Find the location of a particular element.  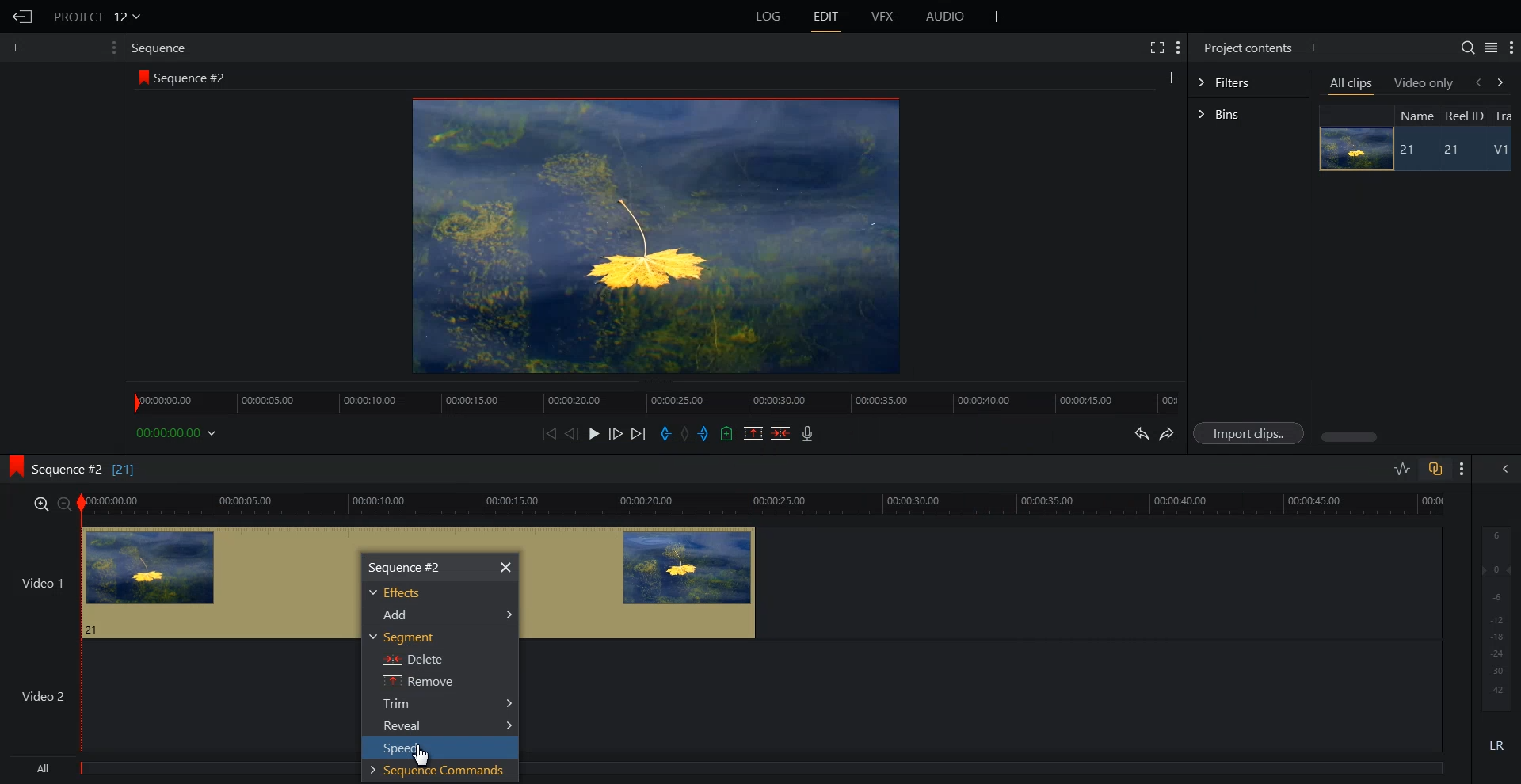

Audio output level is located at coordinates (1493, 616).